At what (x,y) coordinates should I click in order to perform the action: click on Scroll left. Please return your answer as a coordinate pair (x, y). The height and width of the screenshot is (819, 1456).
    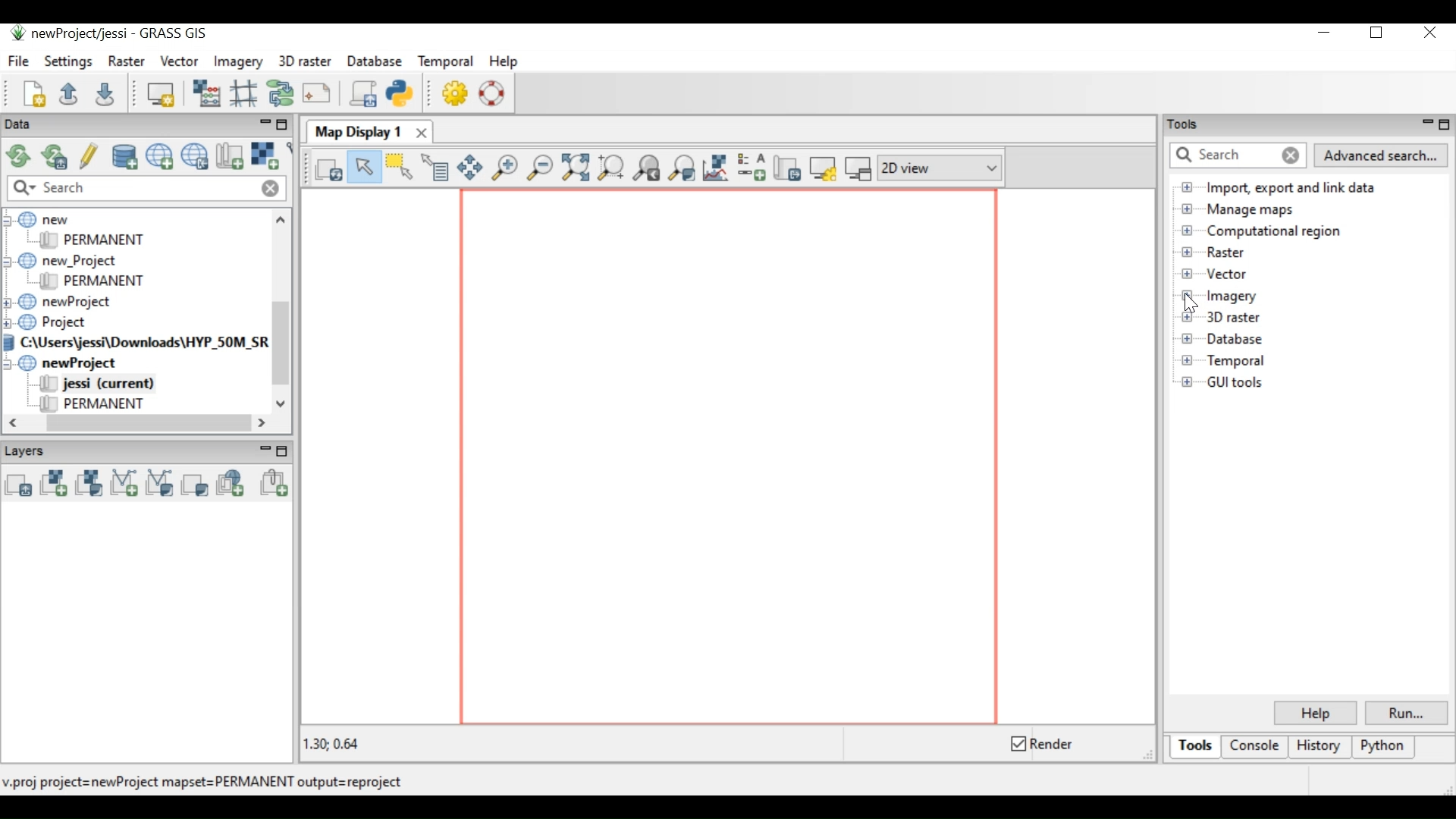
    Looking at the image, I should click on (13, 423).